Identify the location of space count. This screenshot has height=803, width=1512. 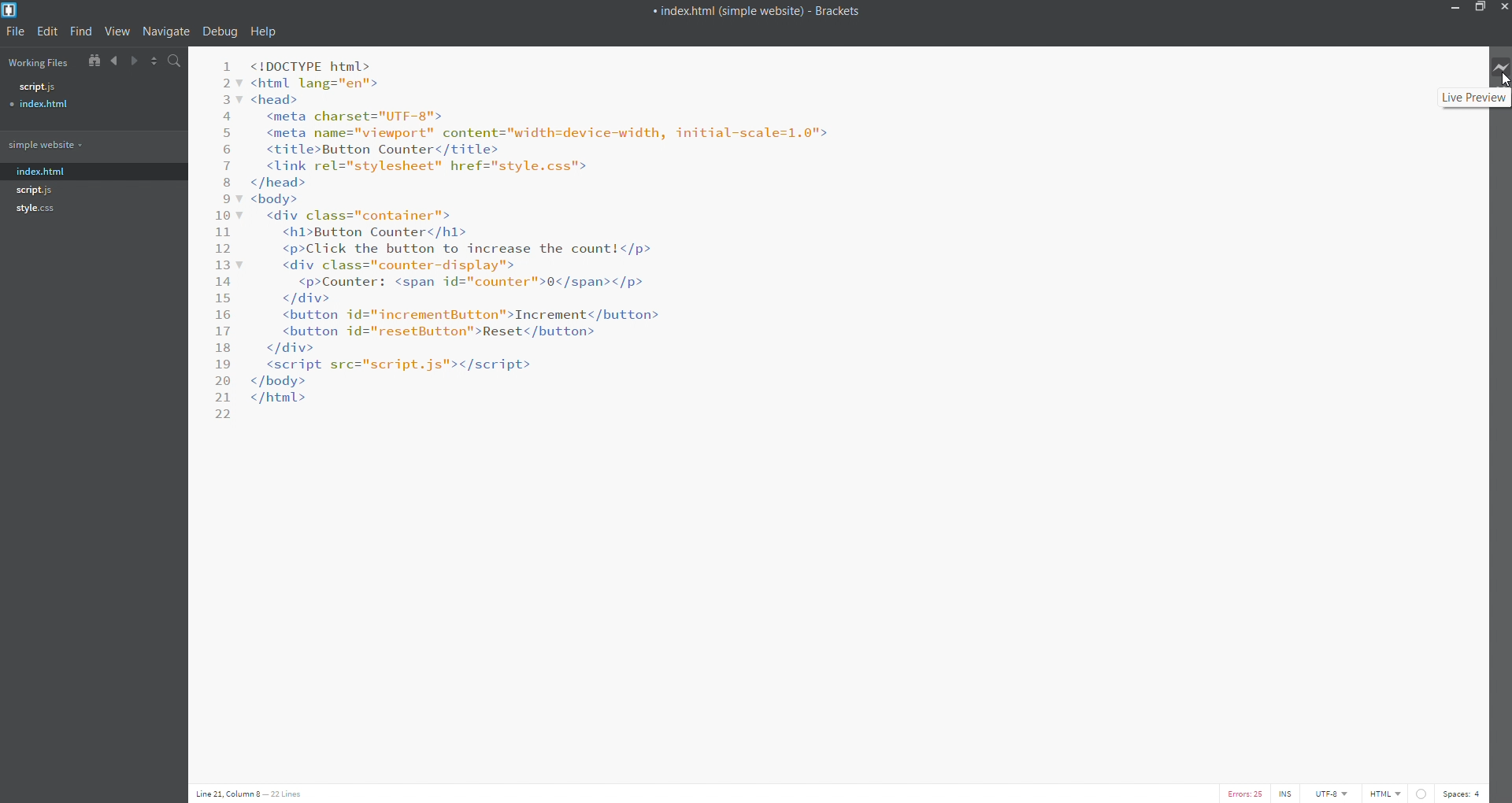
(1460, 794).